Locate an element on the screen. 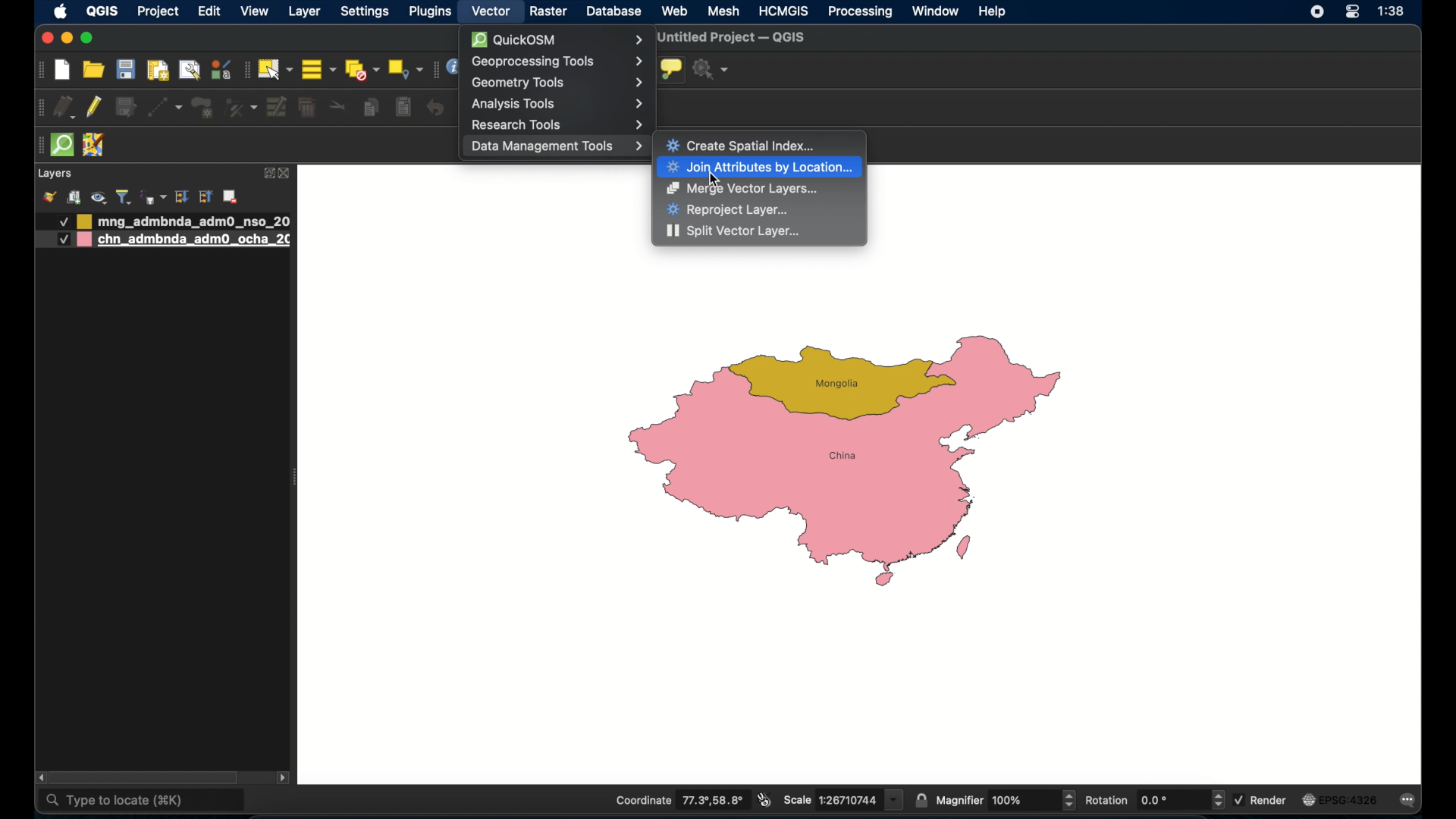 The width and height of the screenshot is (1456, 819). Analysis Tools is located at coordinates (558, 104).